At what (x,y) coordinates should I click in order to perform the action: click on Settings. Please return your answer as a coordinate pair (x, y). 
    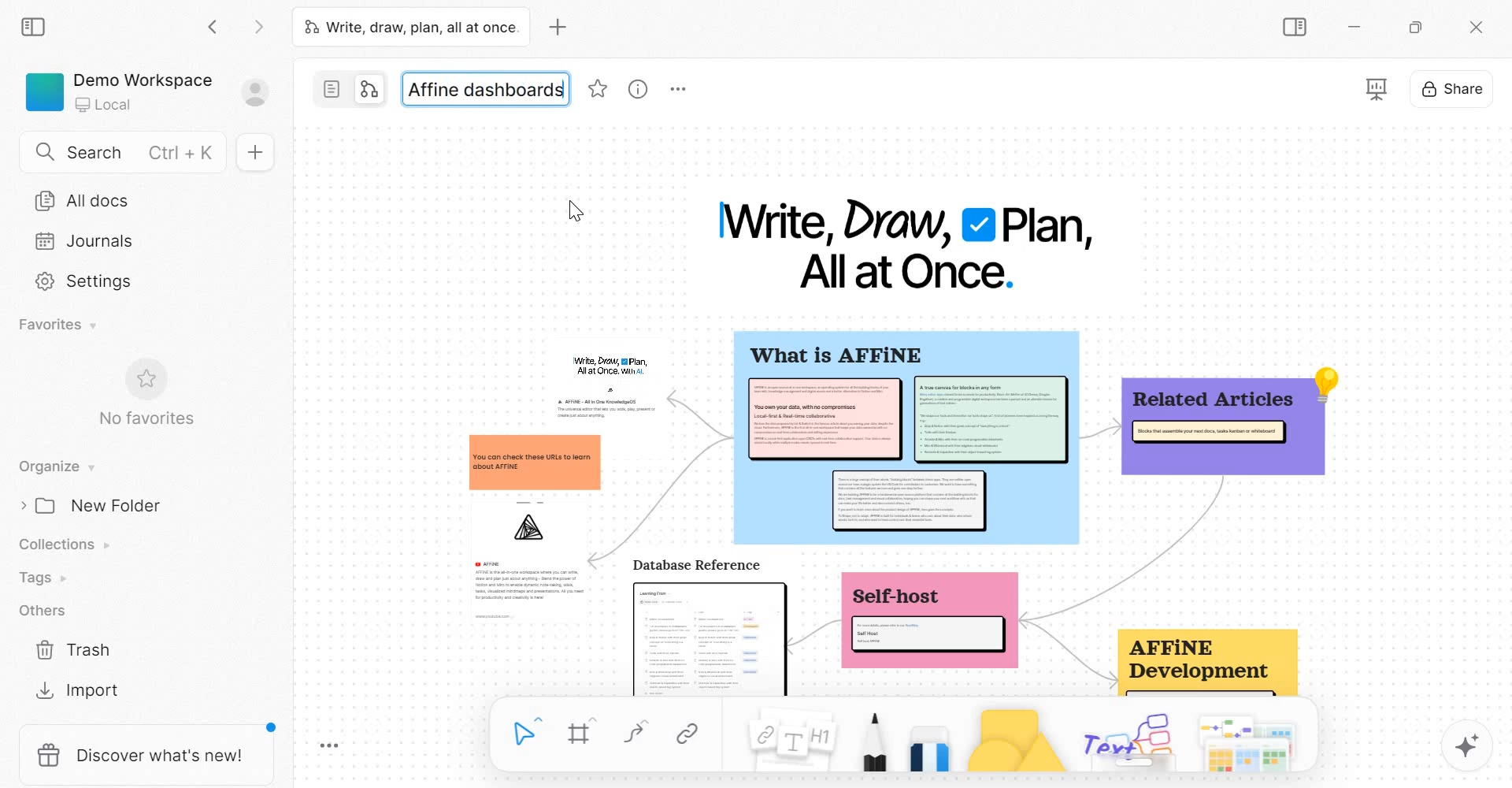
    Looking at the image, I should click on (83, 283).